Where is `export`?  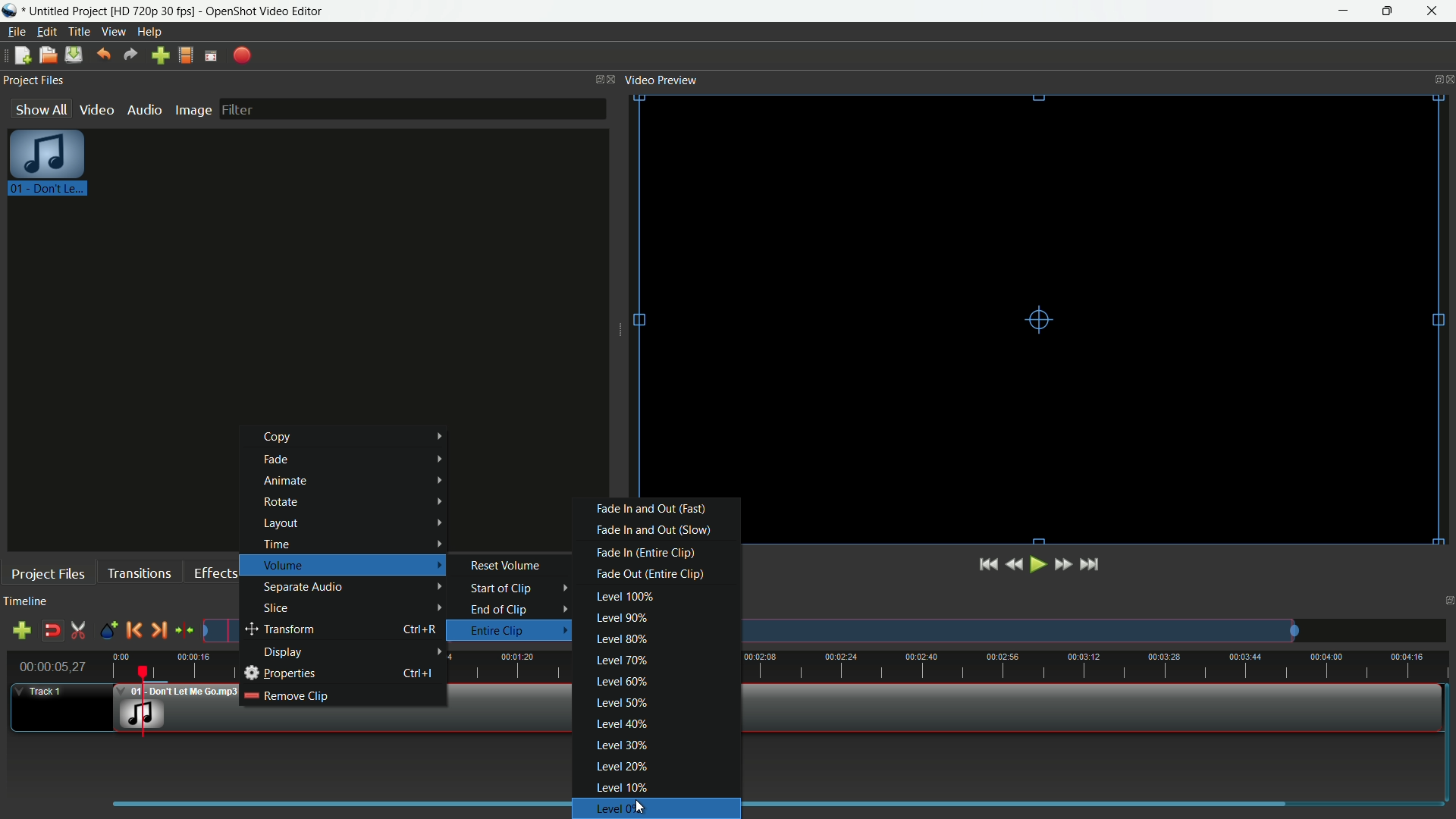 export is located at coordinates (243, 55).